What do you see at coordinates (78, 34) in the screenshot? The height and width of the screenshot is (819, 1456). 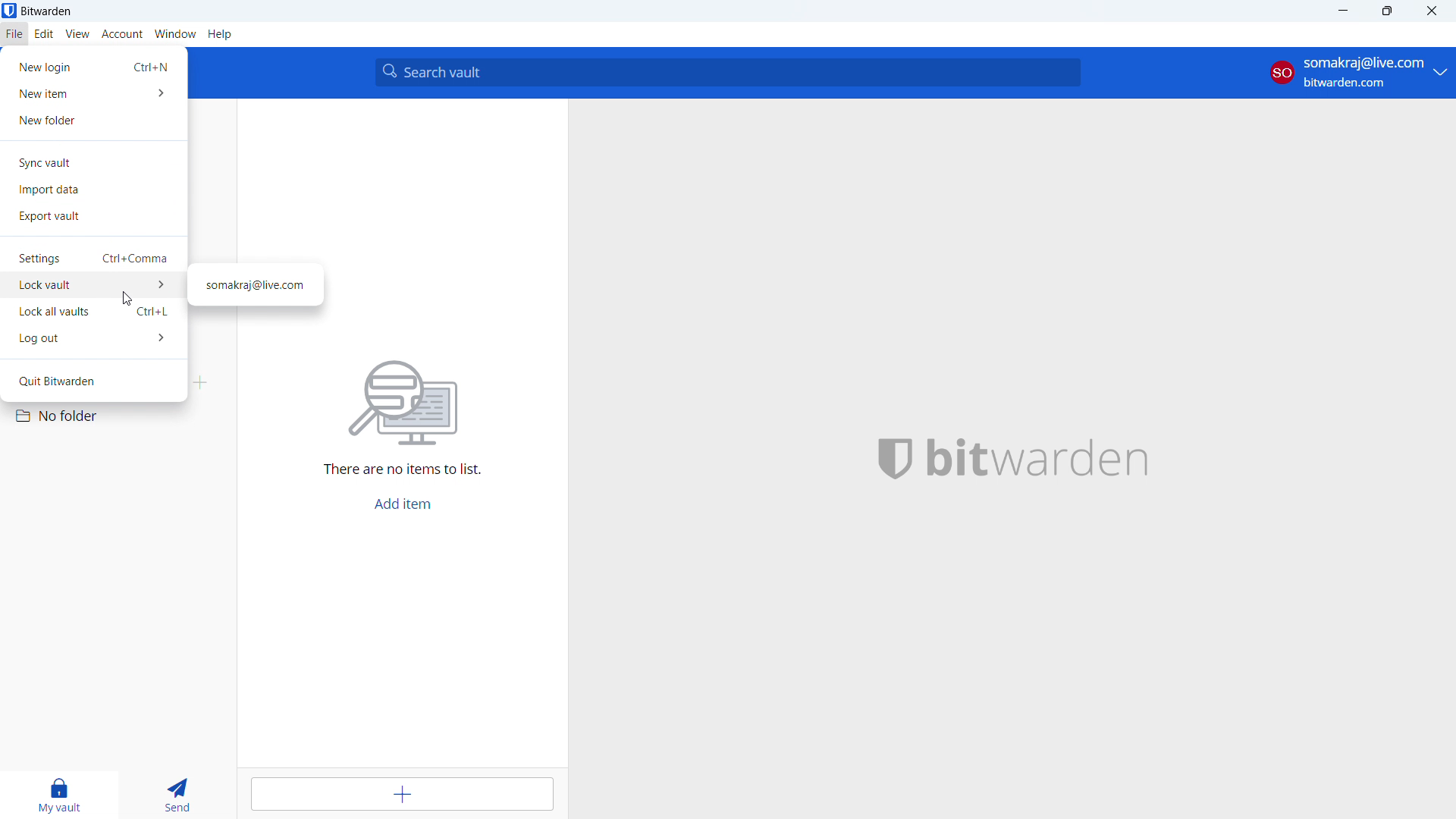 I see `view` at bounding box center [78, 34].